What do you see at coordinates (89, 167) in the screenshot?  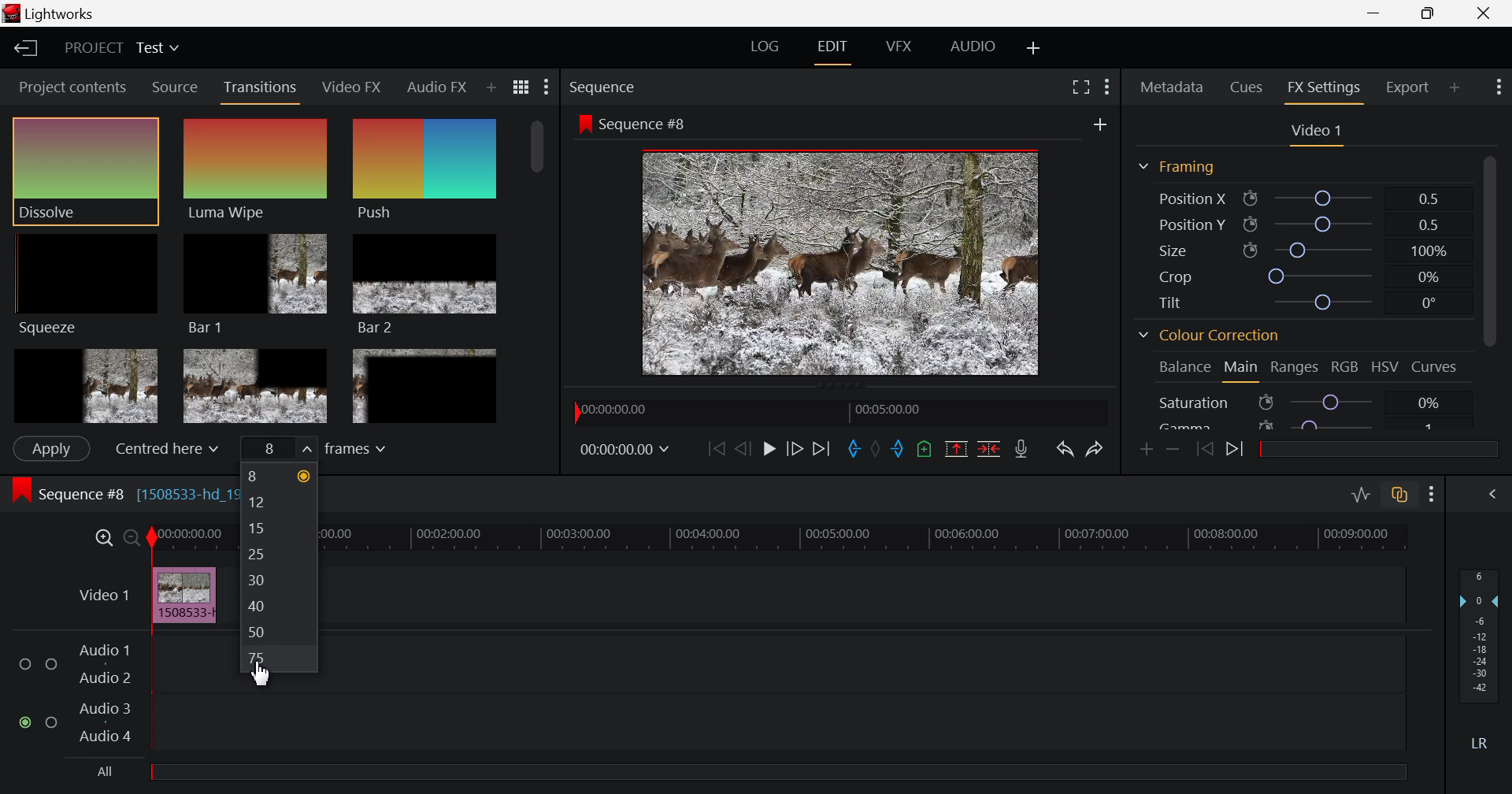 I see `Dissolve` at bounding box center [89, 167].